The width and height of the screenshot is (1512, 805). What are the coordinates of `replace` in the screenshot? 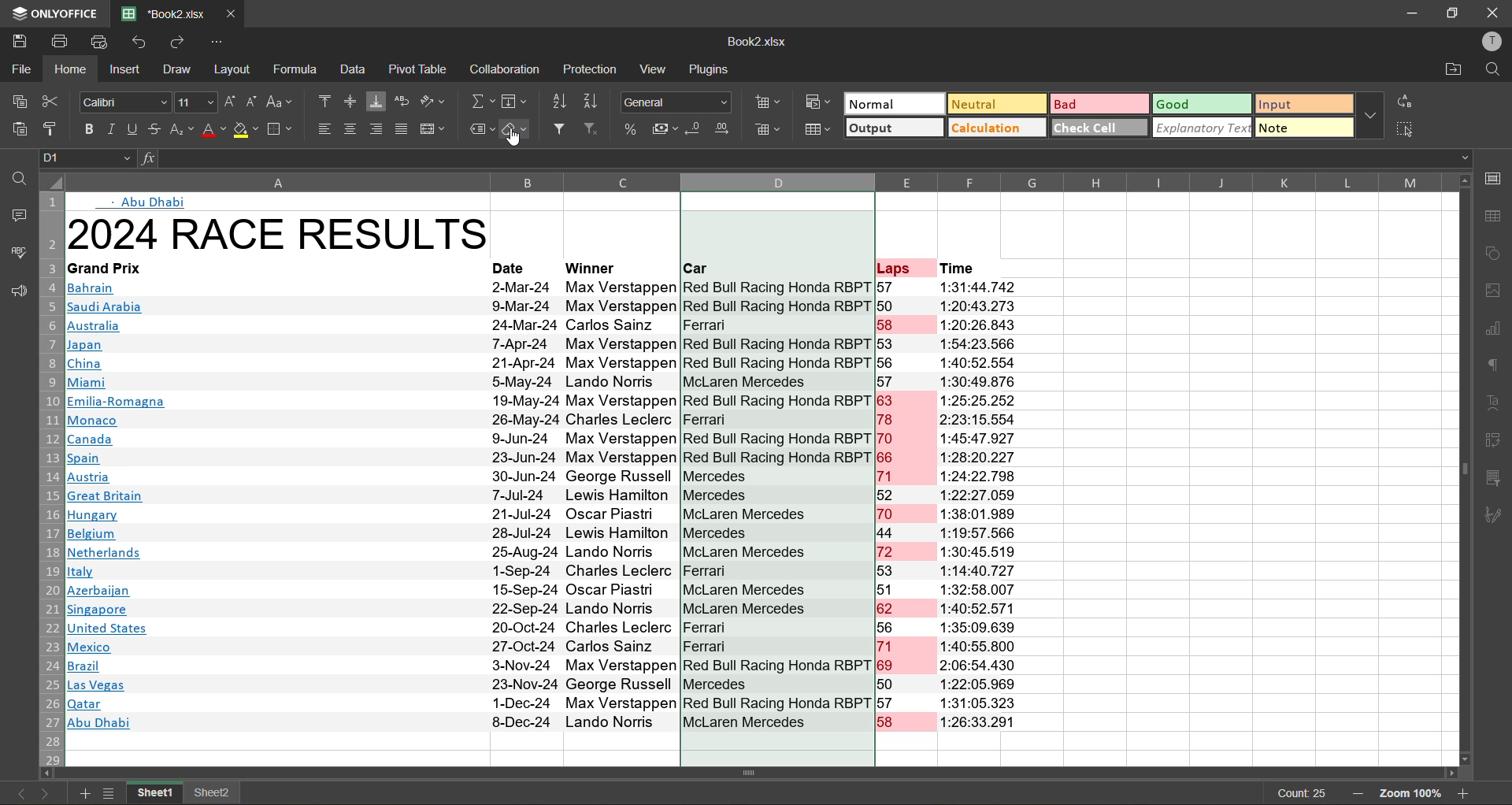 It's located at (1404, 102).